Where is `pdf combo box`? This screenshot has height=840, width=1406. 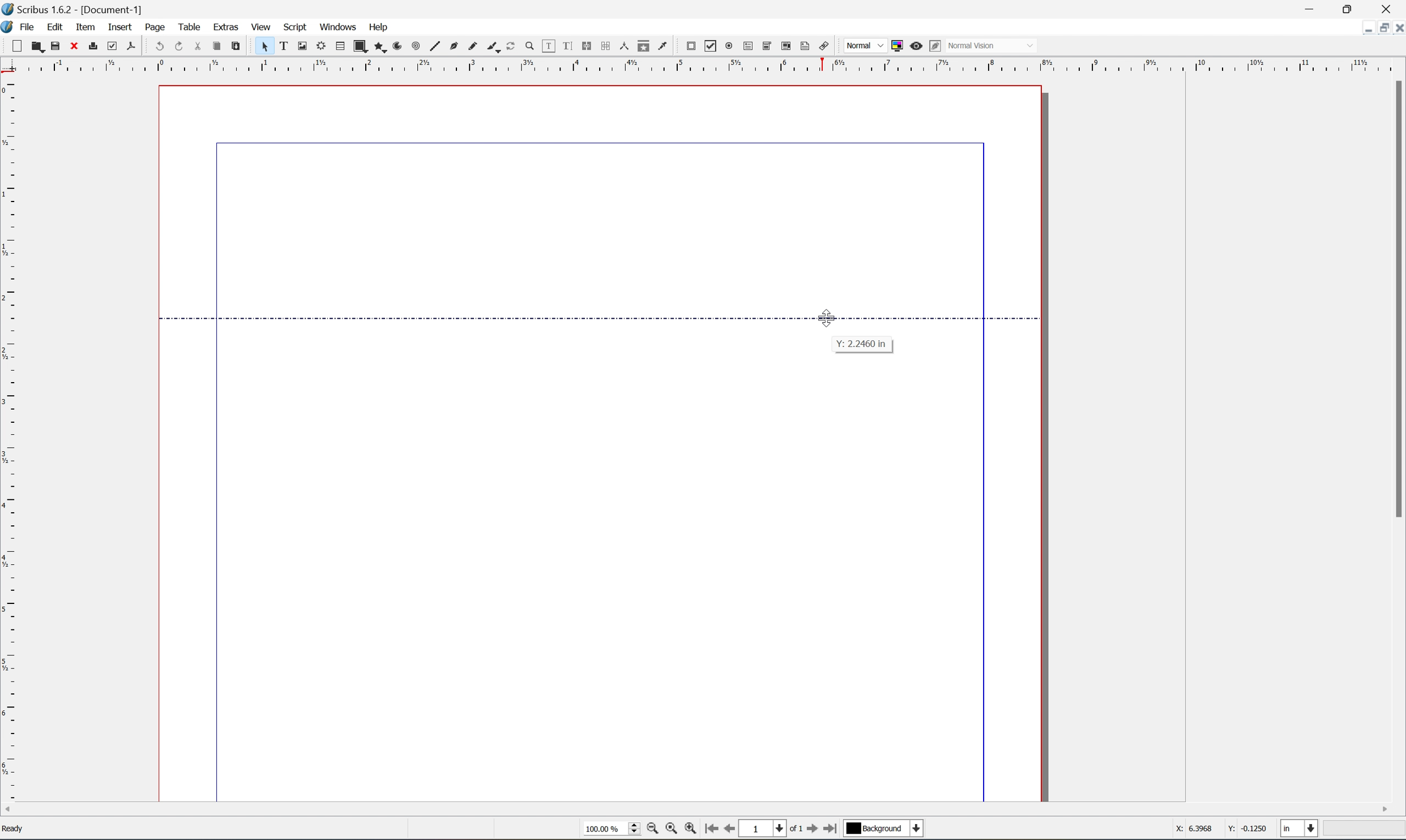 pdf combo box is located at coordinates (767, 48).